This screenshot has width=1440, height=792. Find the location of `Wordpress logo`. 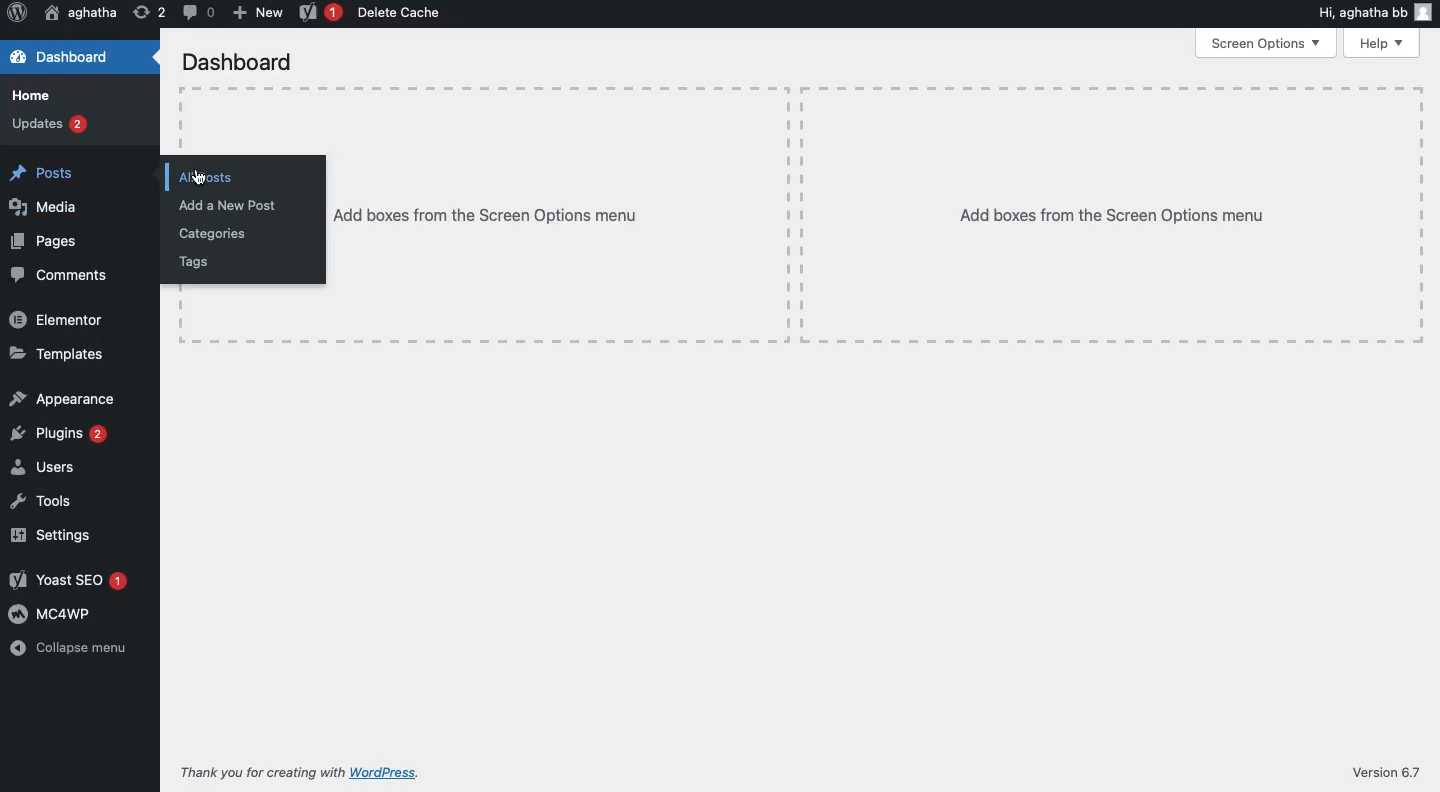

Wordpress logo is located at coordinates (19, 12).